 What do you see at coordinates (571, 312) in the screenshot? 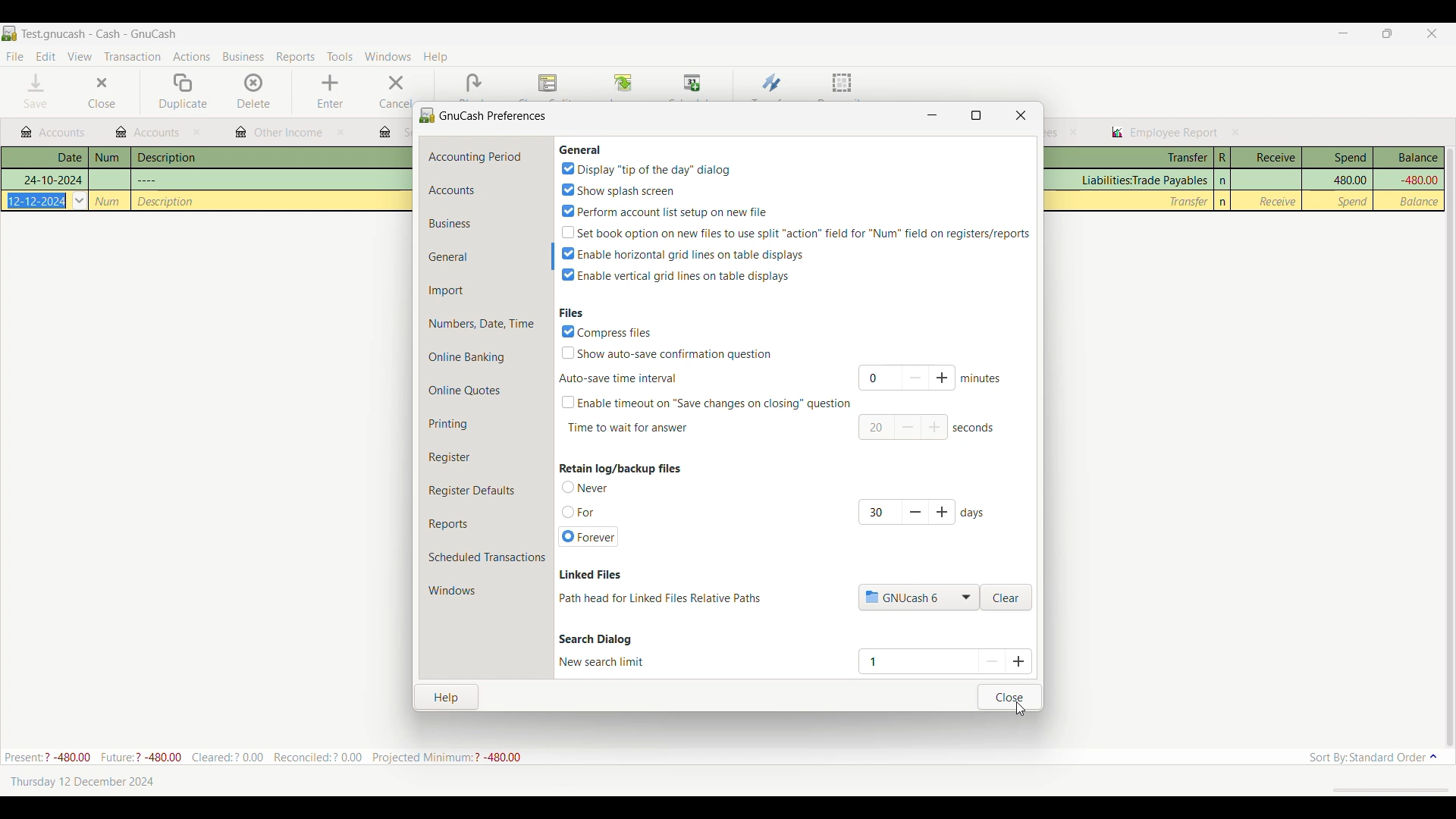
I see `Section title` at bounding box center [571, 312].